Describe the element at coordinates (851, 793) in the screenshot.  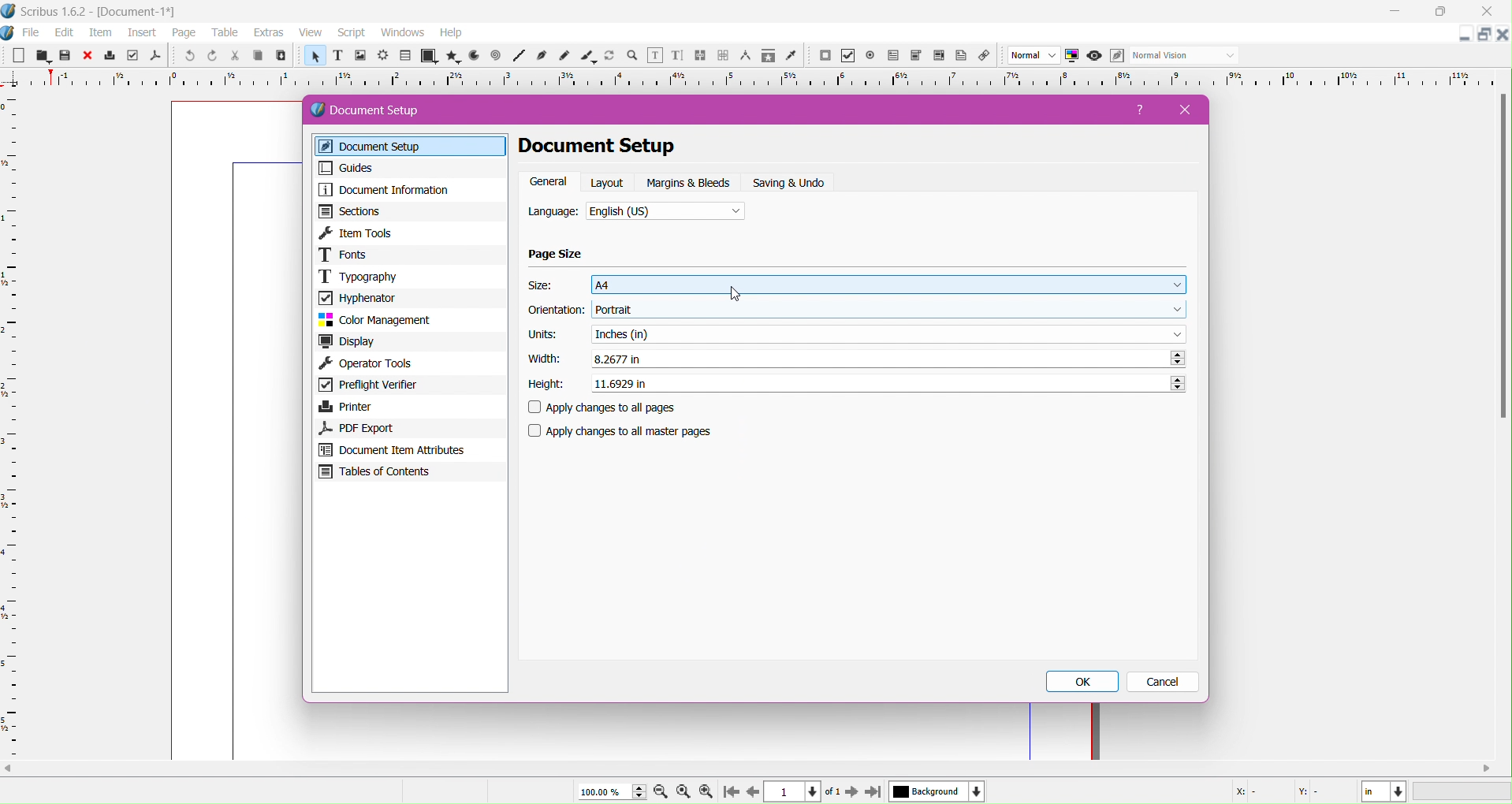
I see `go to next page` at that location.